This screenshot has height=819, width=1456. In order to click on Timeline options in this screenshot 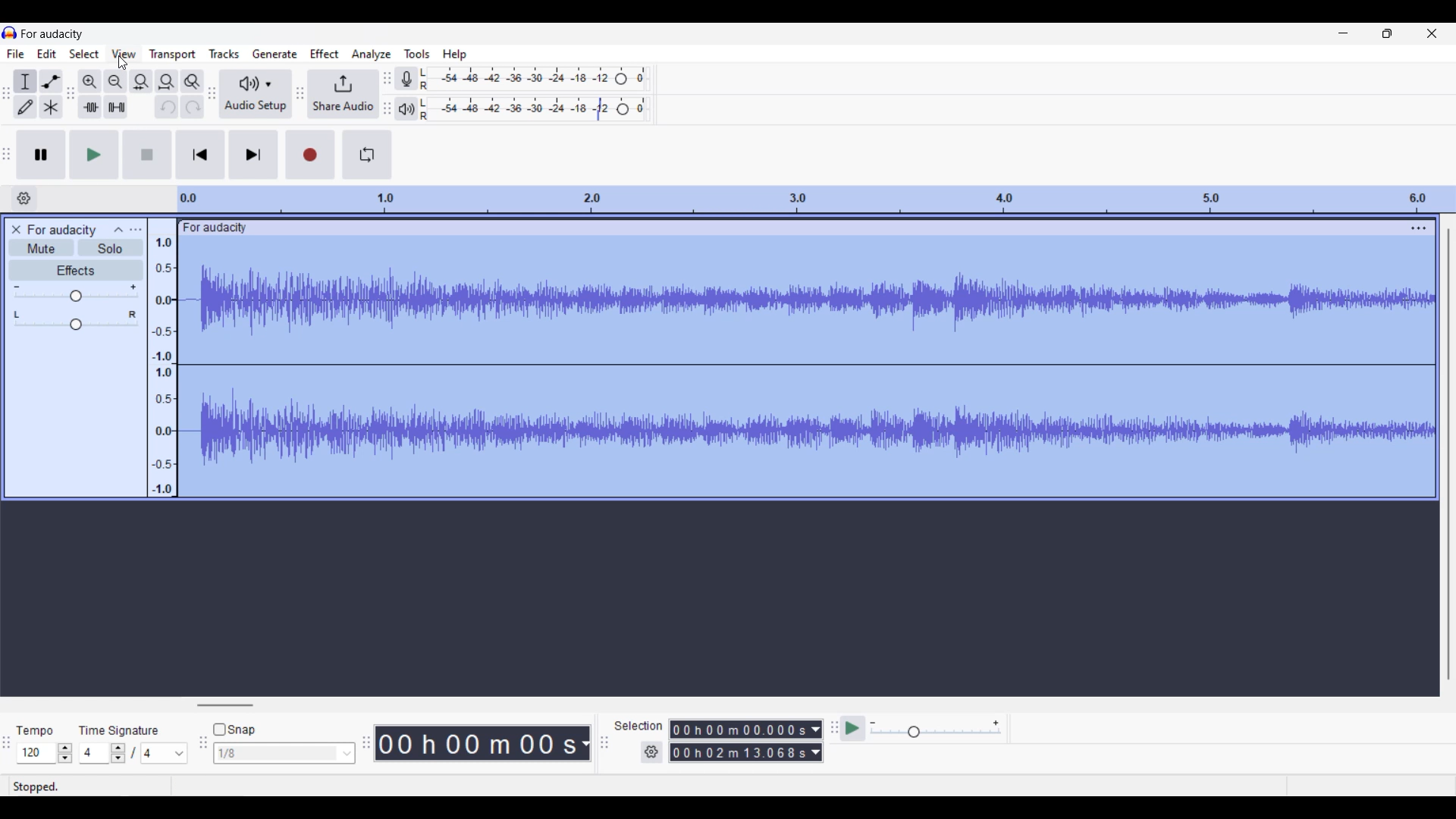, I will do `click(24, 199)`.